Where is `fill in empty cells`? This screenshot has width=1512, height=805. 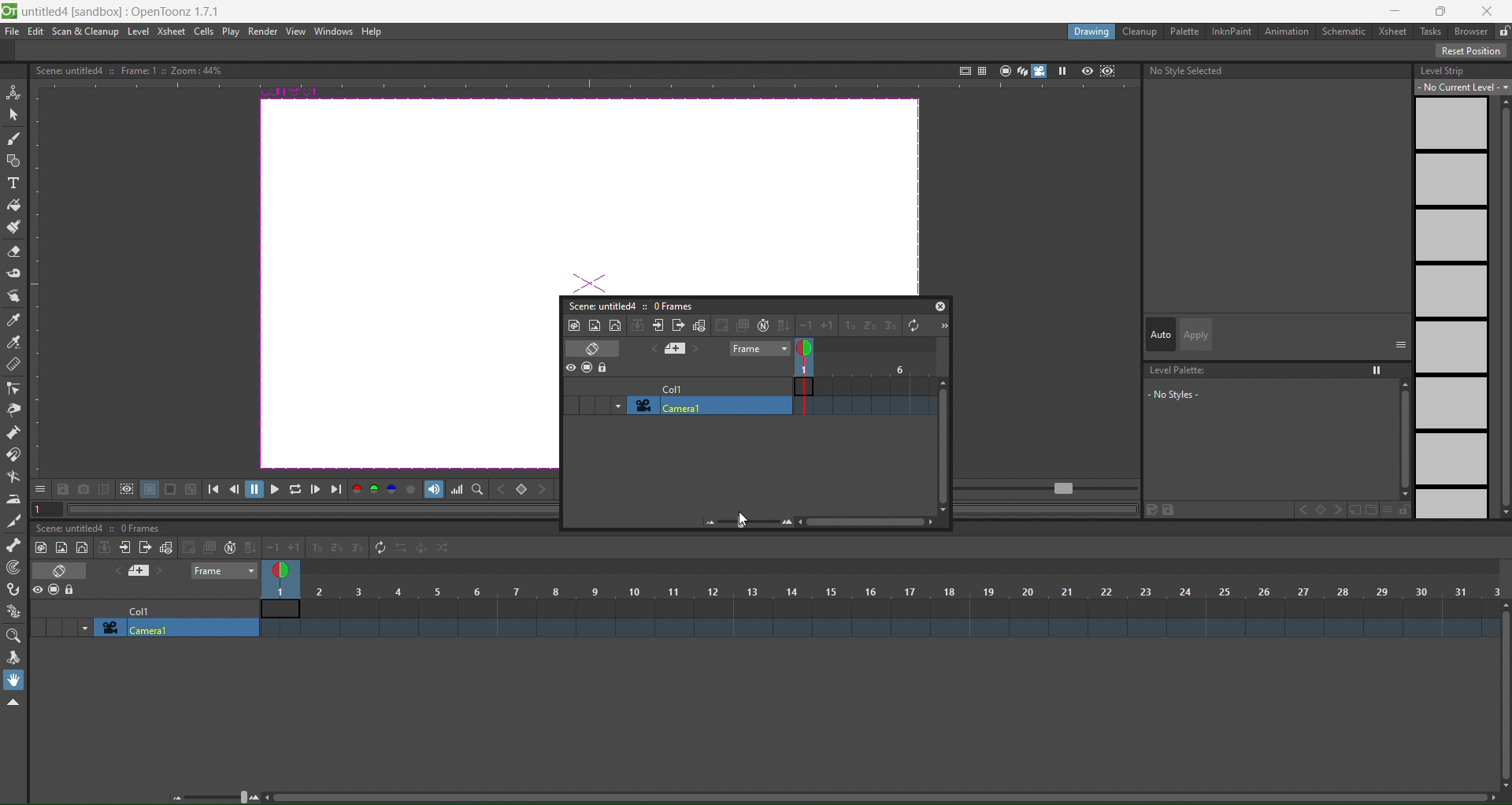 fill in empty cells is located at coordinates (249, 547).